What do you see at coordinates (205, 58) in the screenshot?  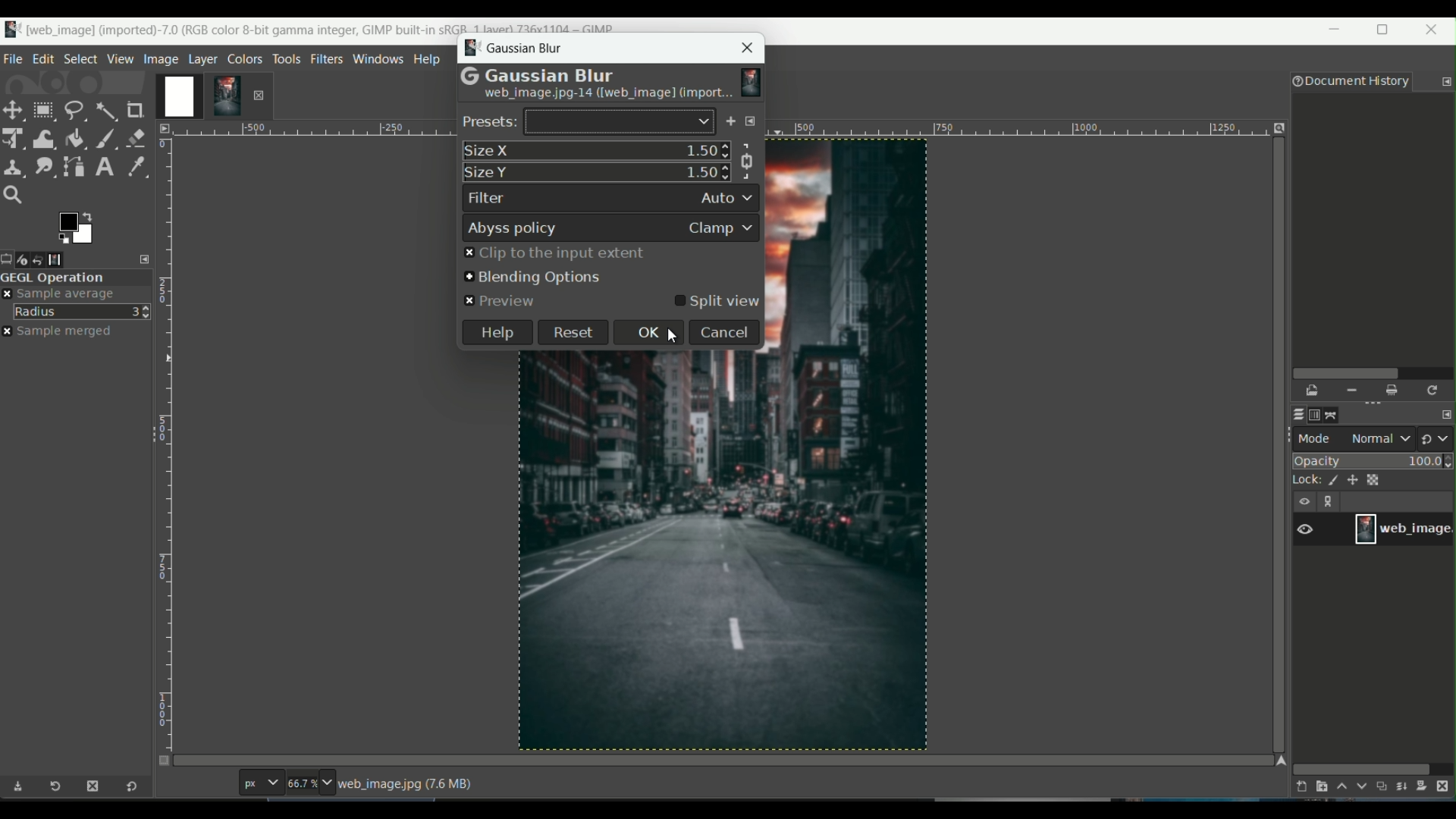 I see `layers tab` at bounding box center [205, 58].